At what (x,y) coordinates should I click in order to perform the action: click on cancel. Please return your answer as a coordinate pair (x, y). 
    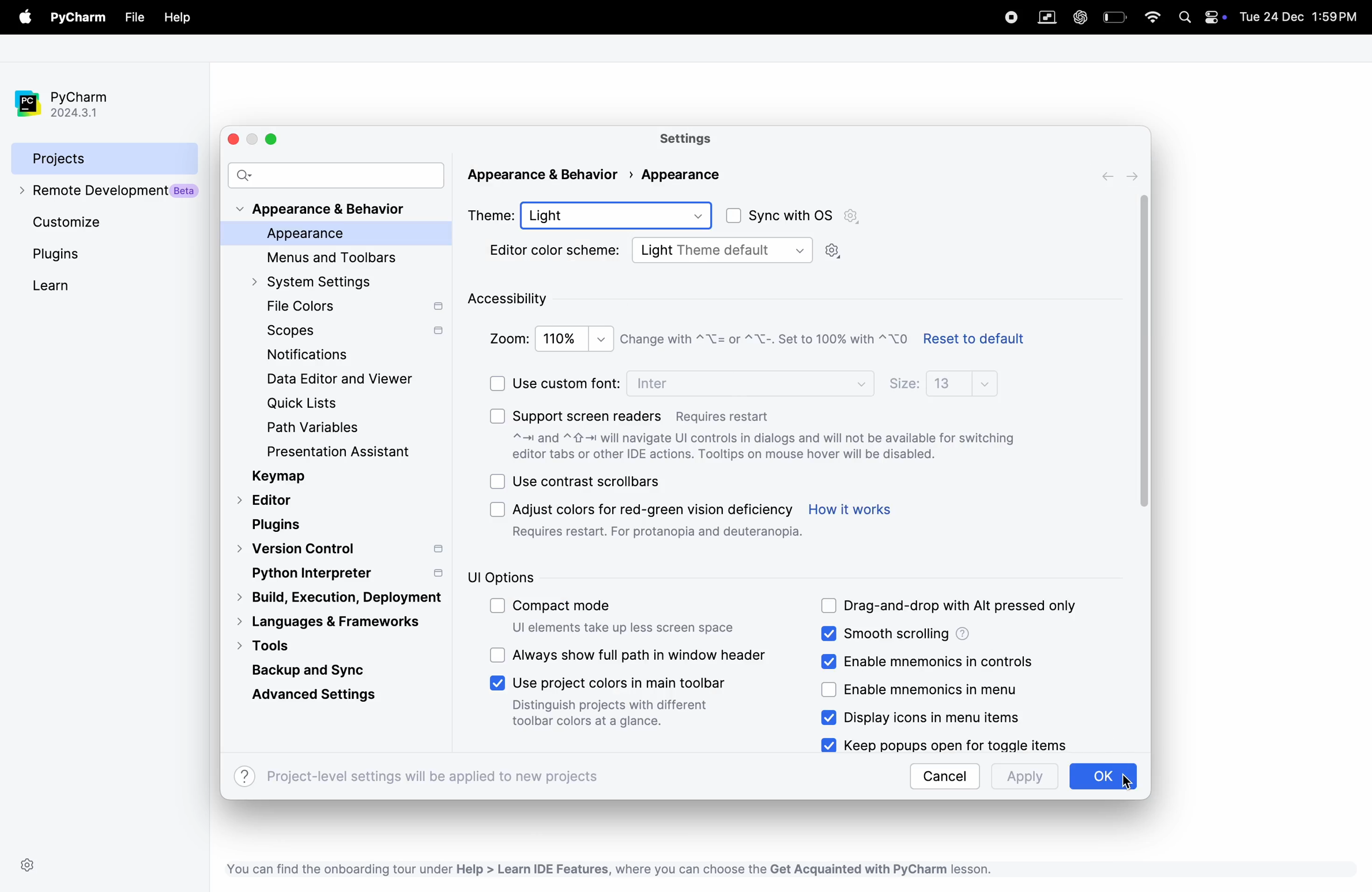
    Looking at the image, I should click on (946, 777).